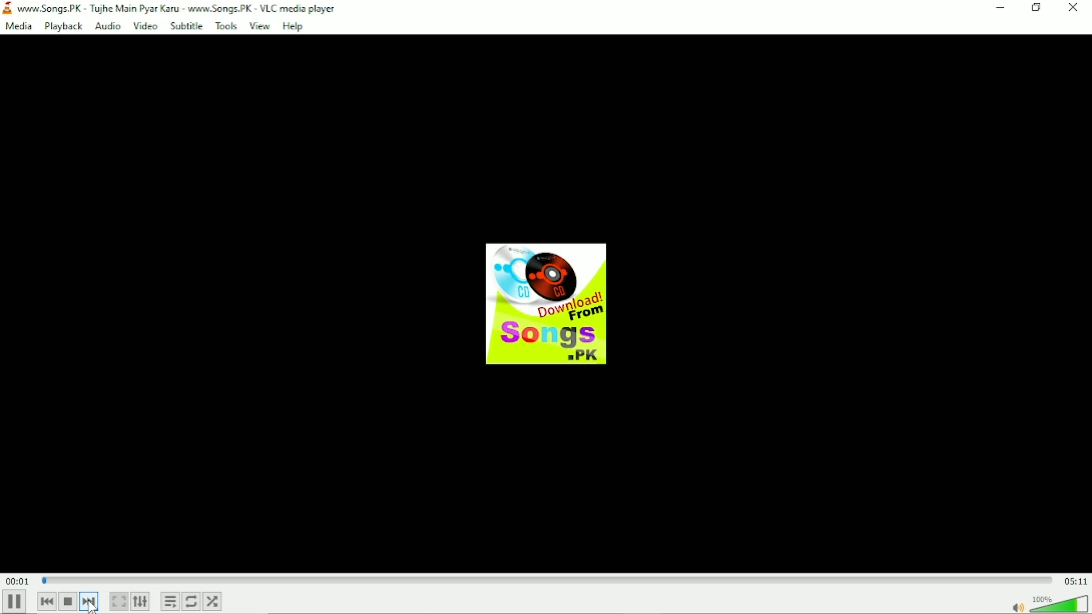  What do you see at coordinates (259, 25) in the screenshot?
I see `View` at bounding box center [259, 25].